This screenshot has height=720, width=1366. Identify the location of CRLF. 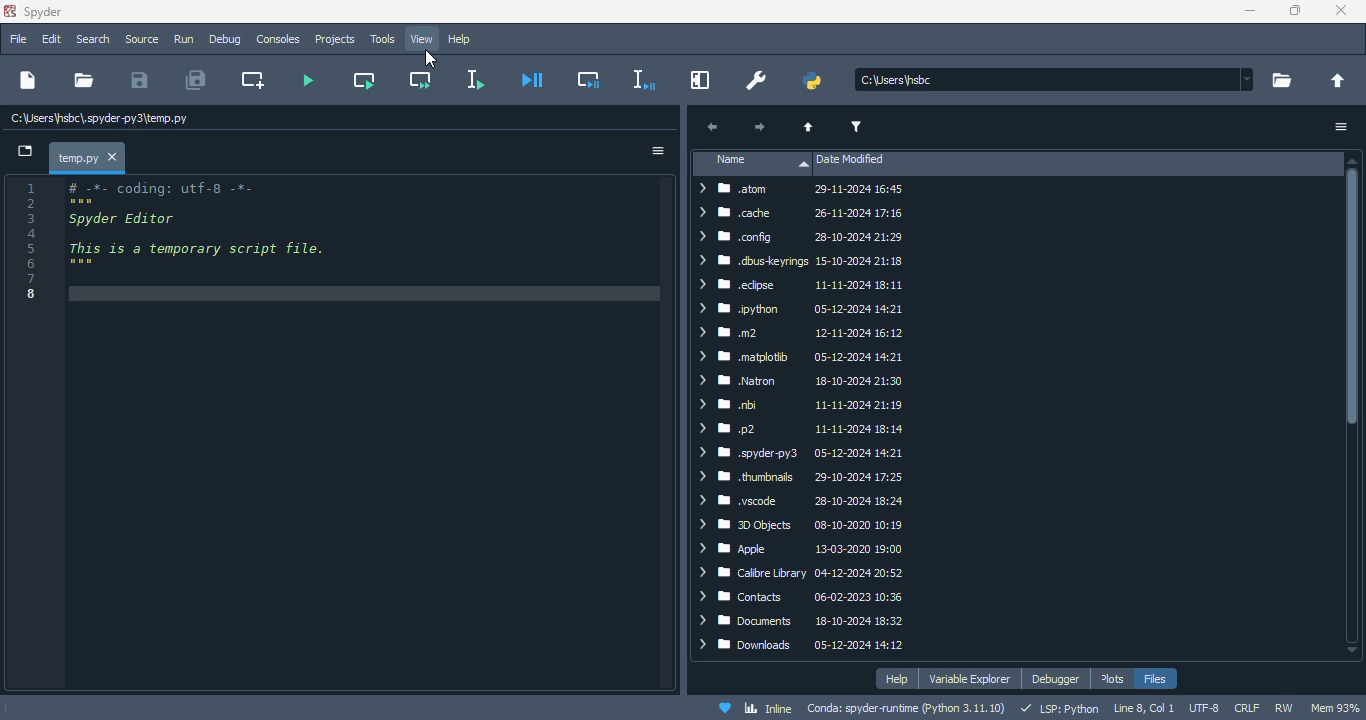
(1246, 707).